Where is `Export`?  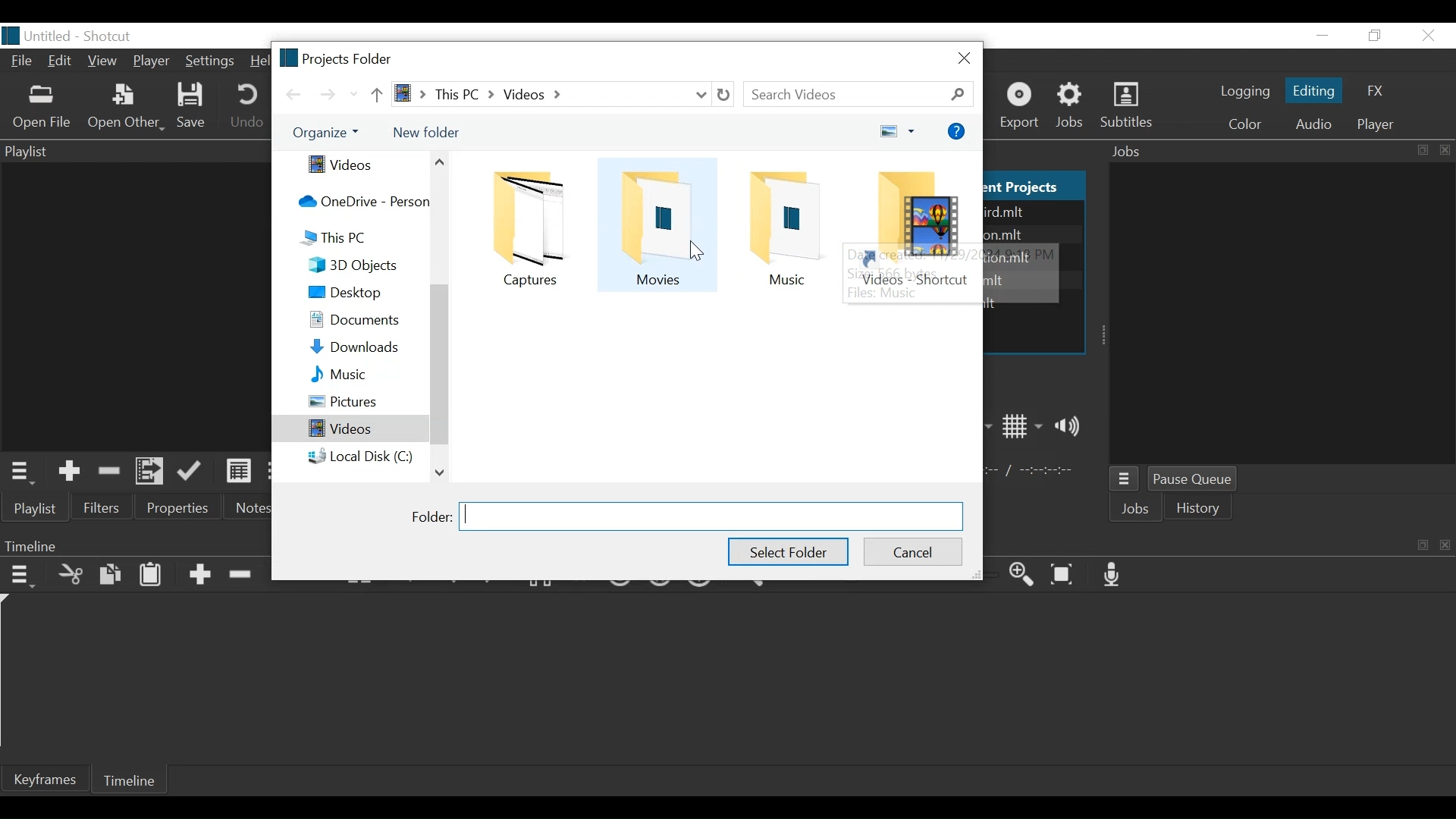
Export is located at coordinates (1022, 106).